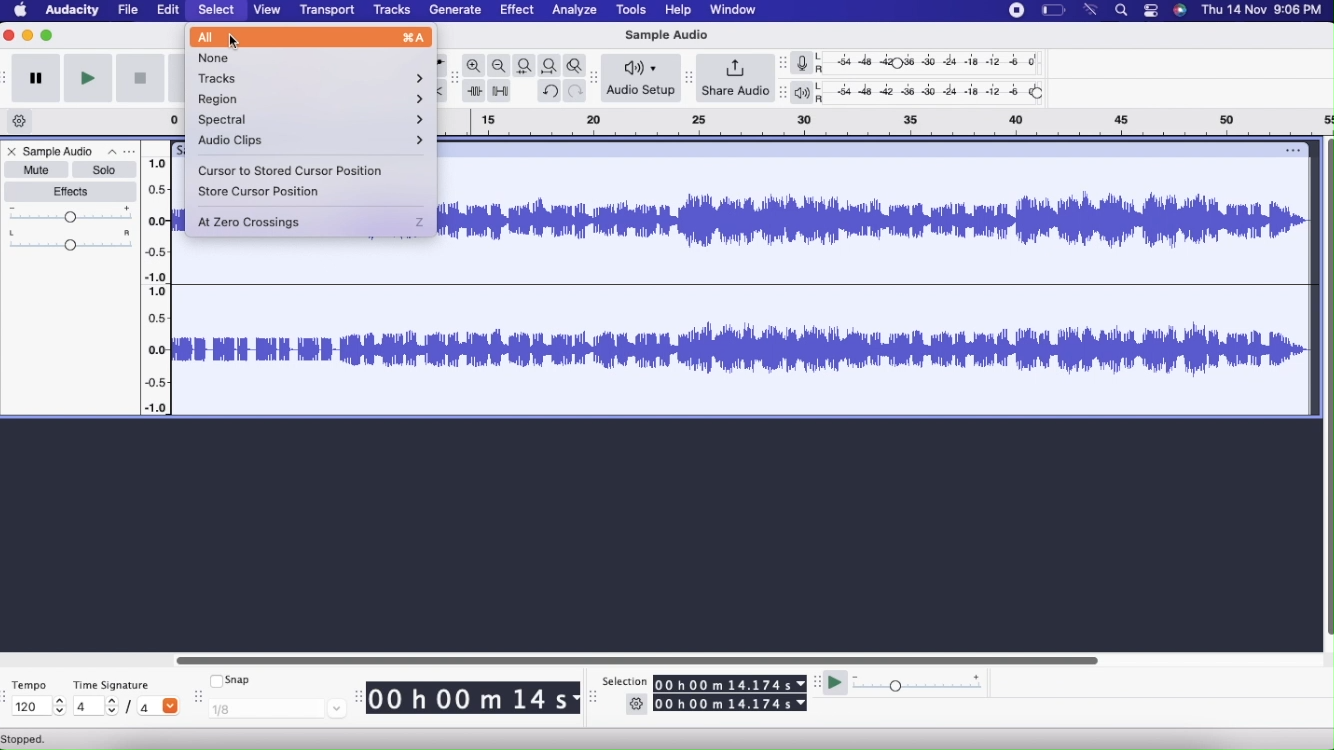  Describe the element at coordinates (638, 657) in the screenshot. I see `Horizontal scroll bar` at that location.